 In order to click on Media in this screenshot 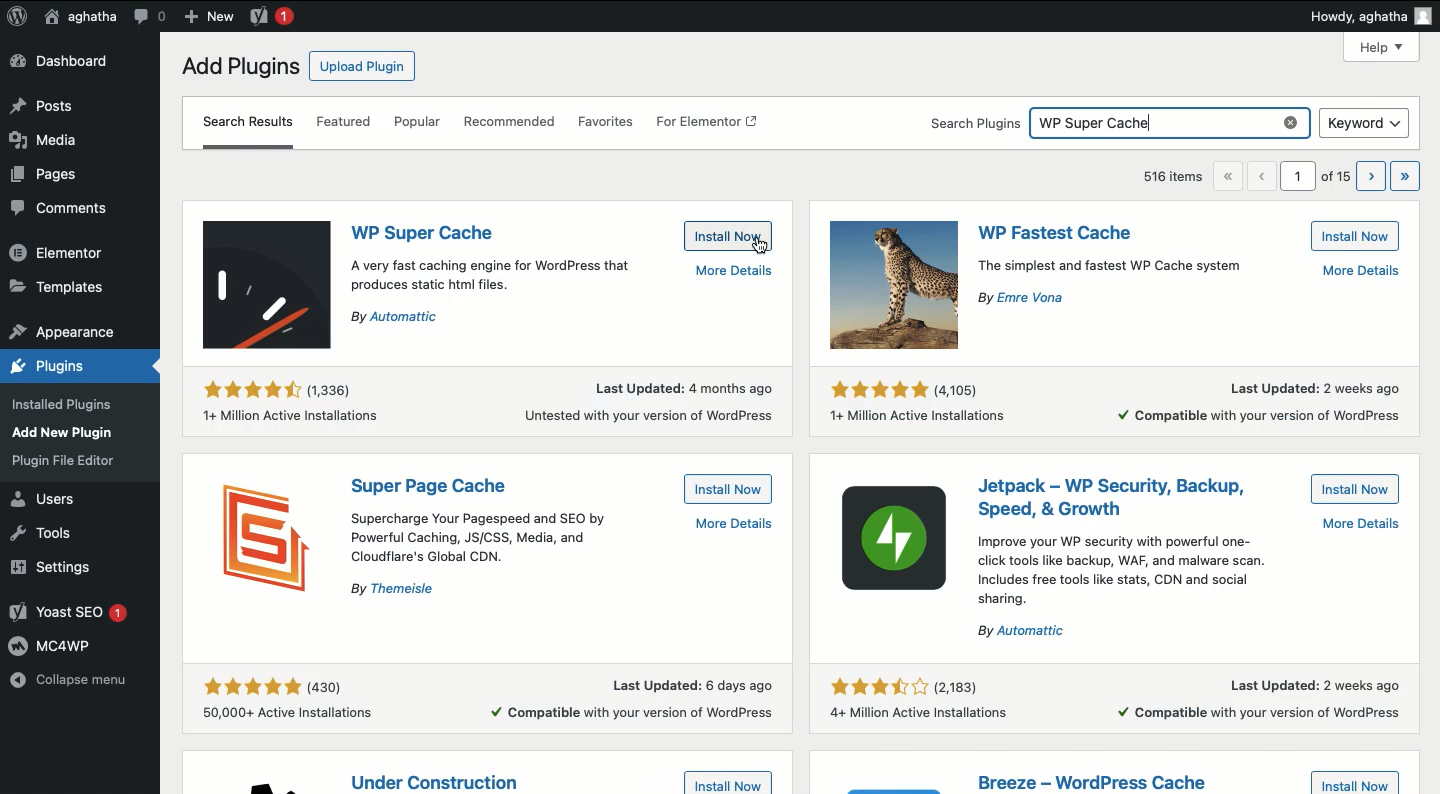, I will do `click(45, 137)`.